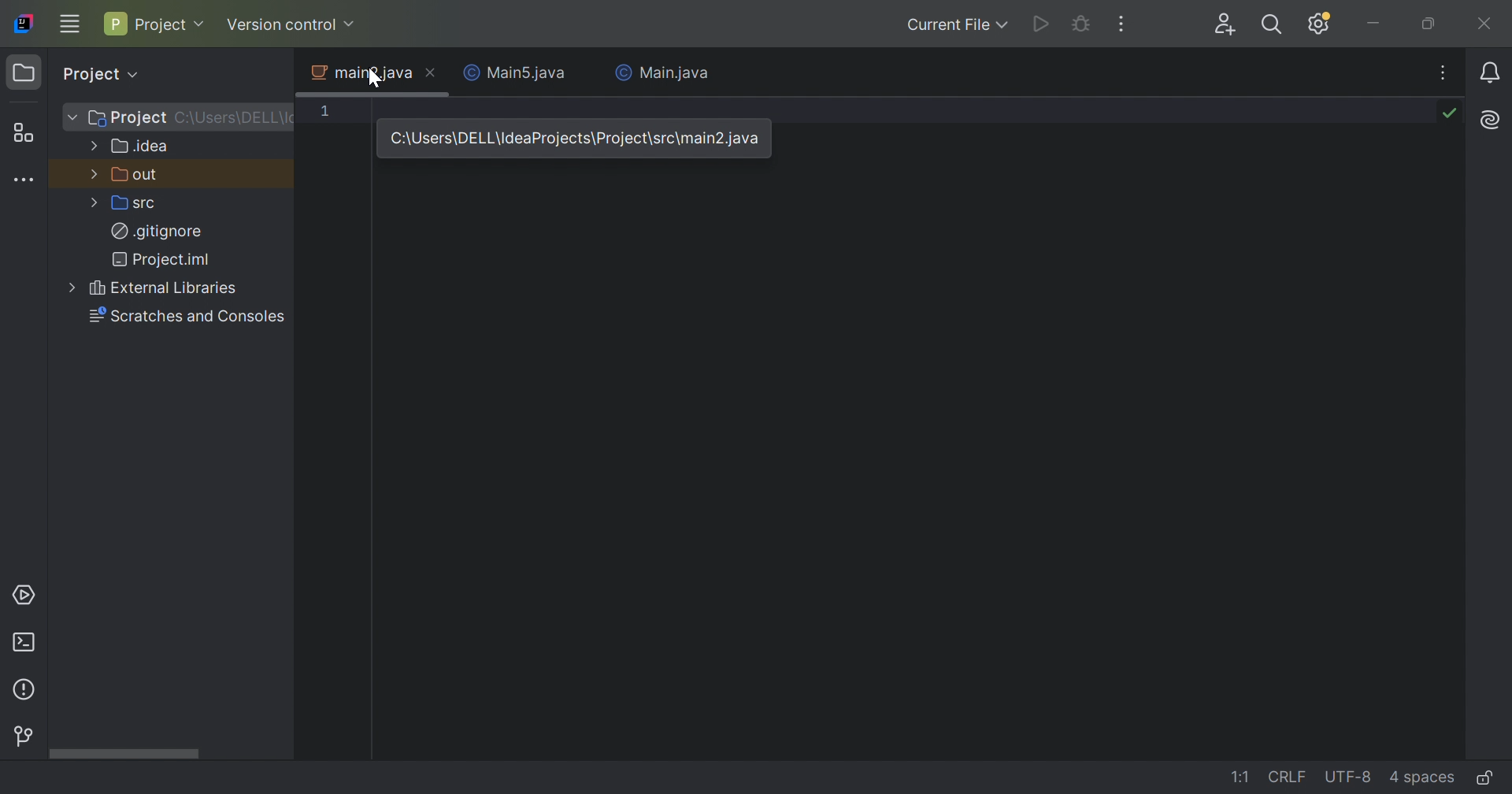  Describe the element at coordinates (98, 74) in the screenshot. I see `Project` at that location.